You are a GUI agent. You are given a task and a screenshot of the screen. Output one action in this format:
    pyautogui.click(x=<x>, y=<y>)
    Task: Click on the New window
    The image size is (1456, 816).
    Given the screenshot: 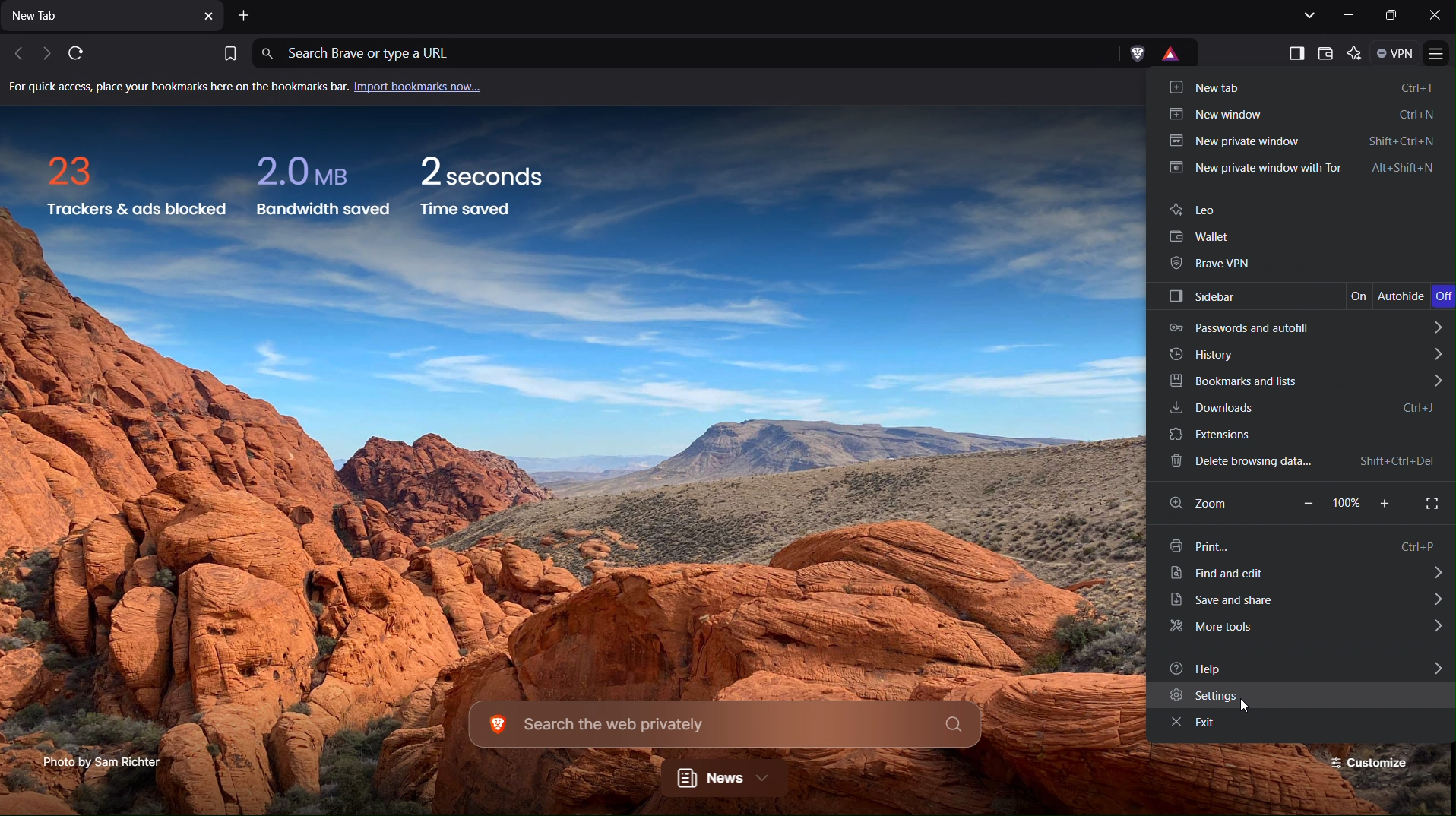 What is the action you would take?
    pyautogui.click(x=1303, y=118)
    